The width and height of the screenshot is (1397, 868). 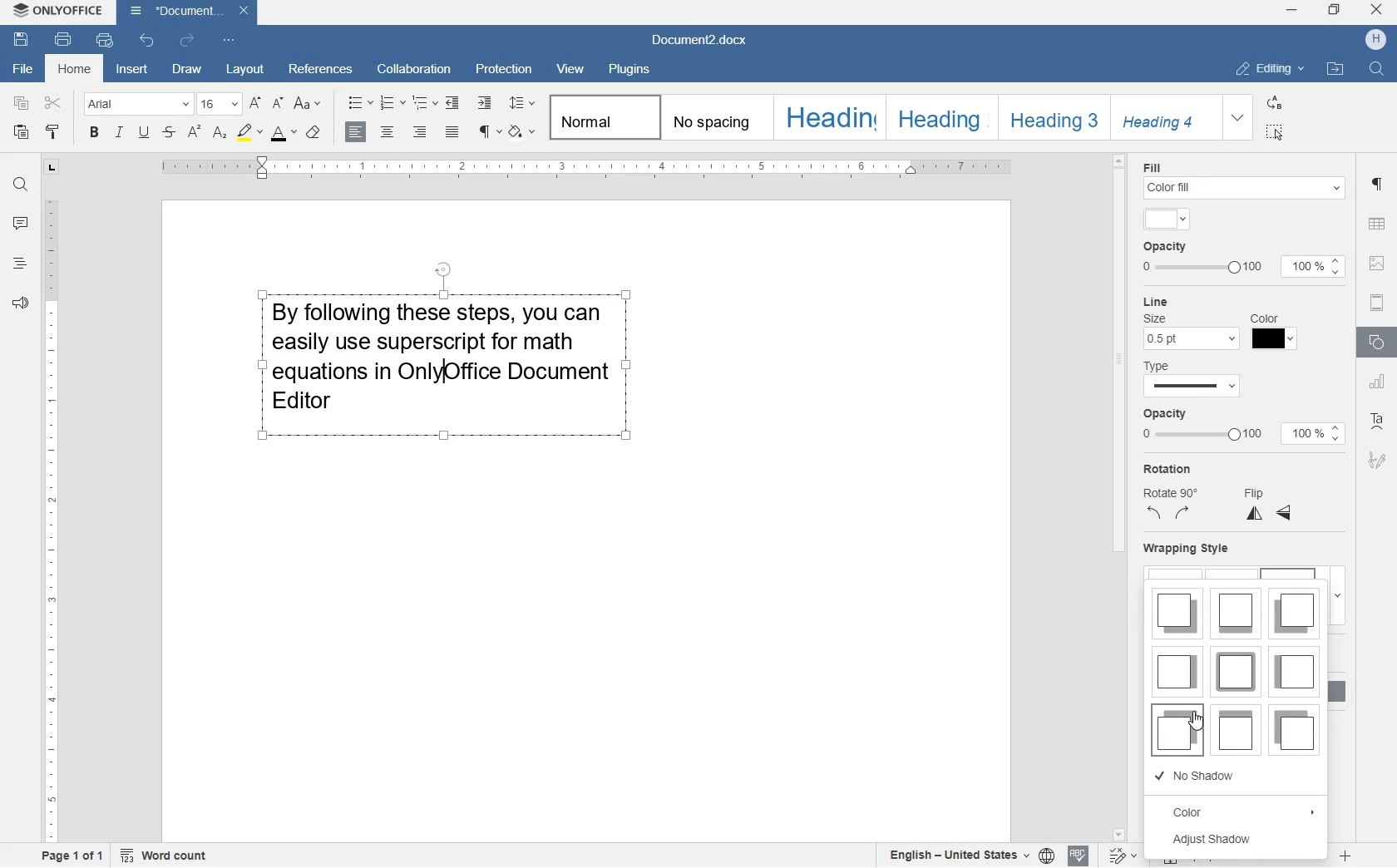 I want to click on subscript, so click(x=220, y=134).